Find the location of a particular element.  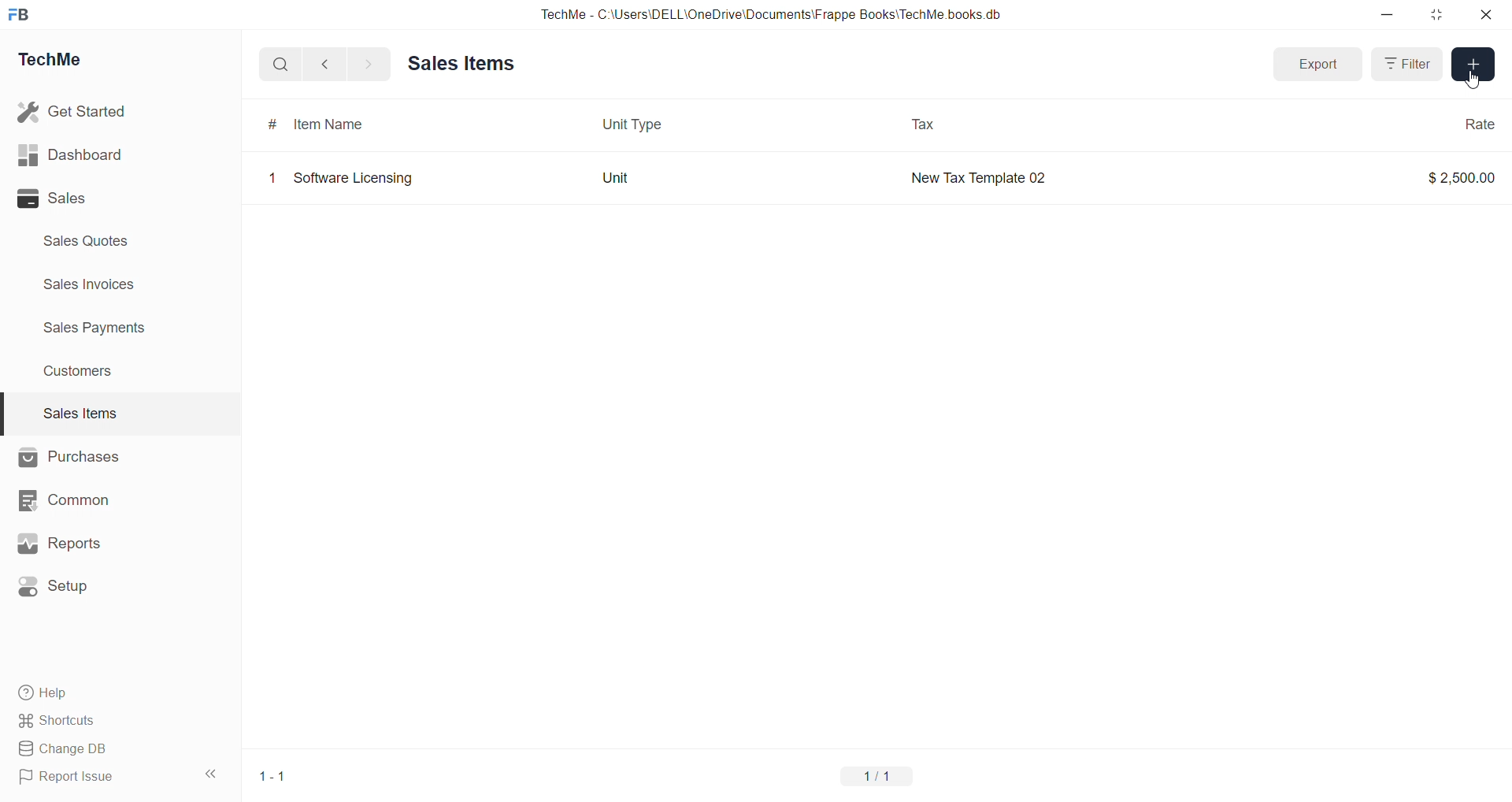

resize is located at coordinates (1436, 15).